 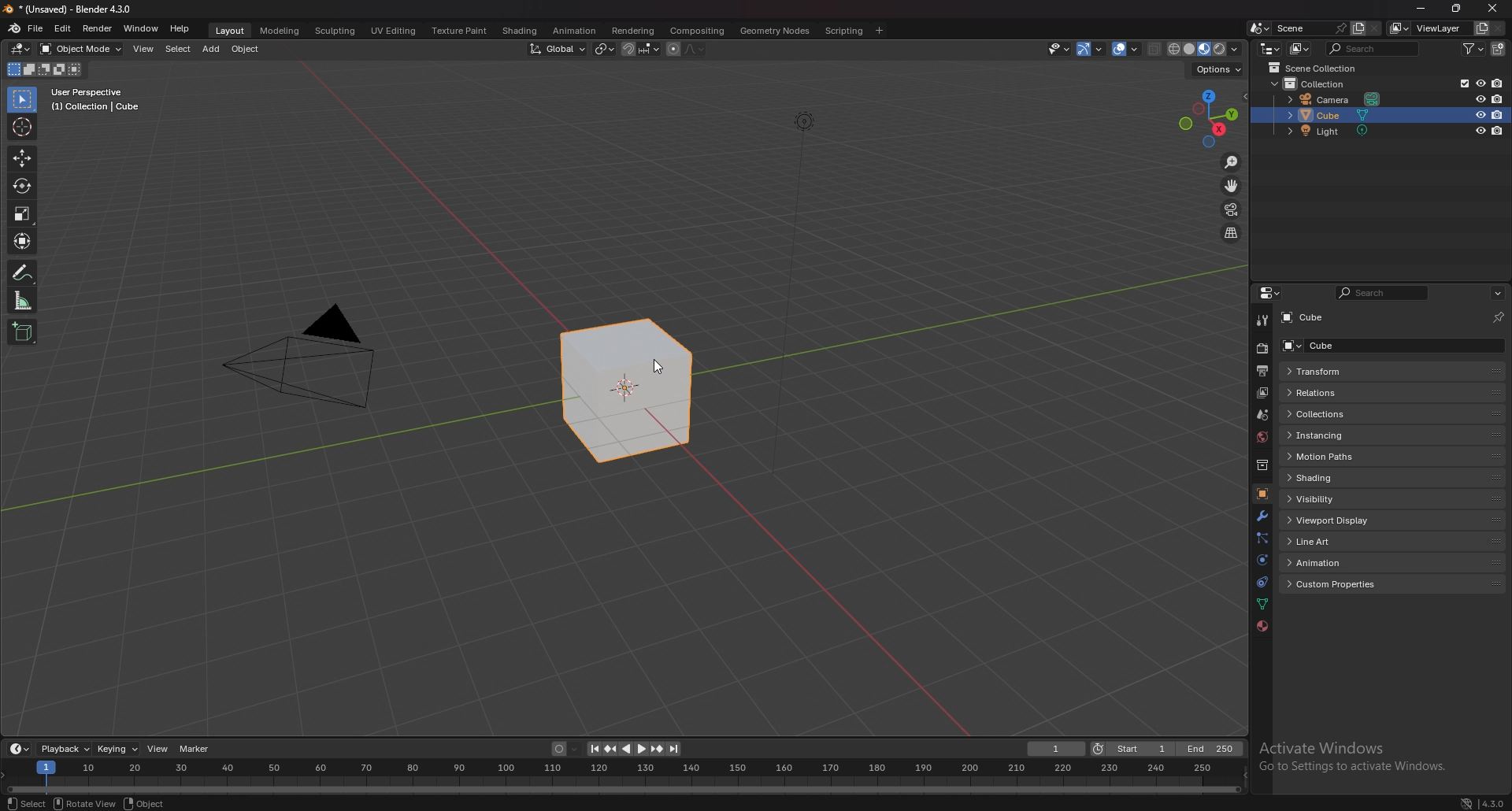 What do you see at coordinates (1480, 28) in the screenshot?
I see `add viewlayer` at bounding box center [1480, 28].